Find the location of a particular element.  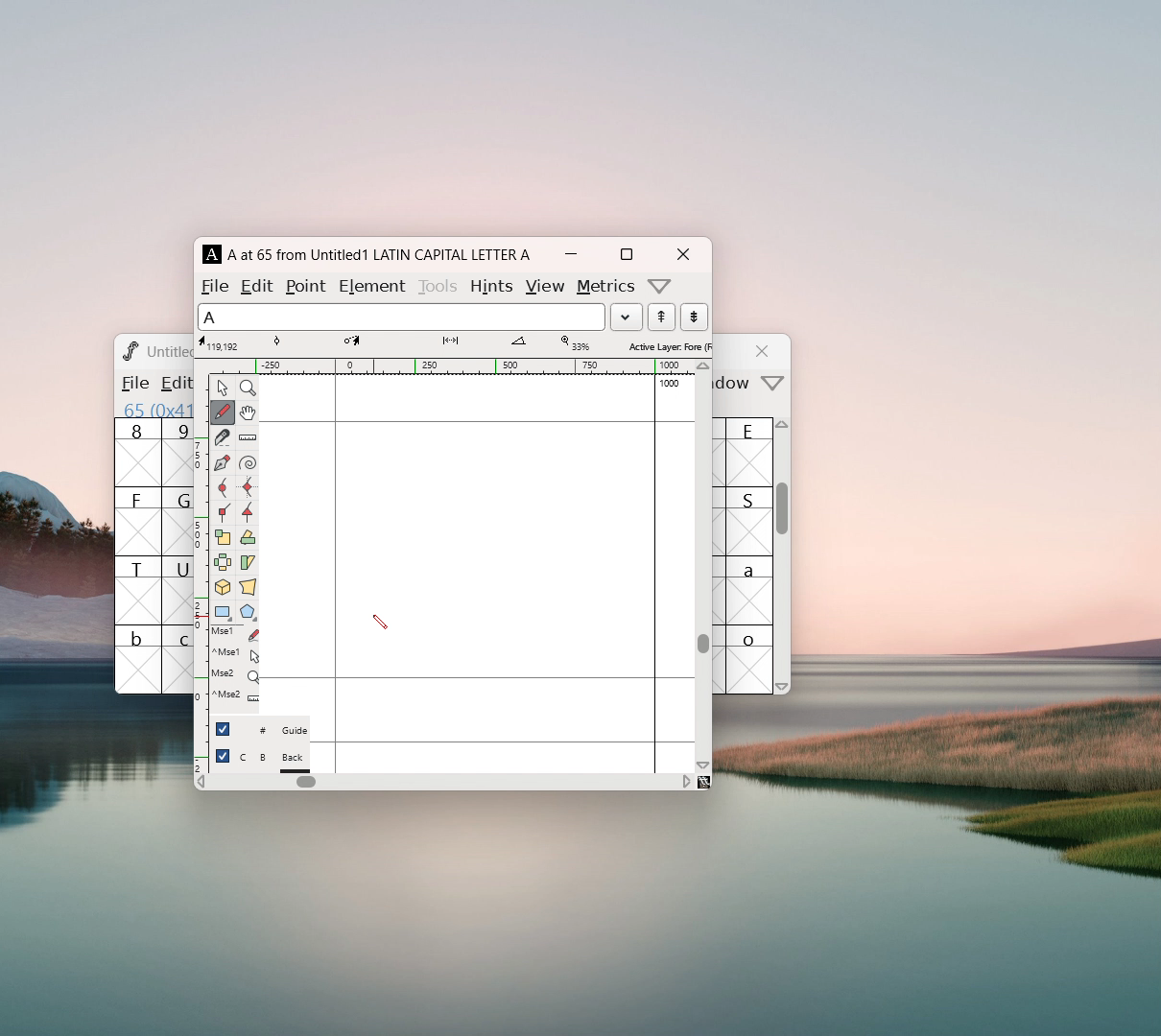

9 is located at coordinates (178, 452).